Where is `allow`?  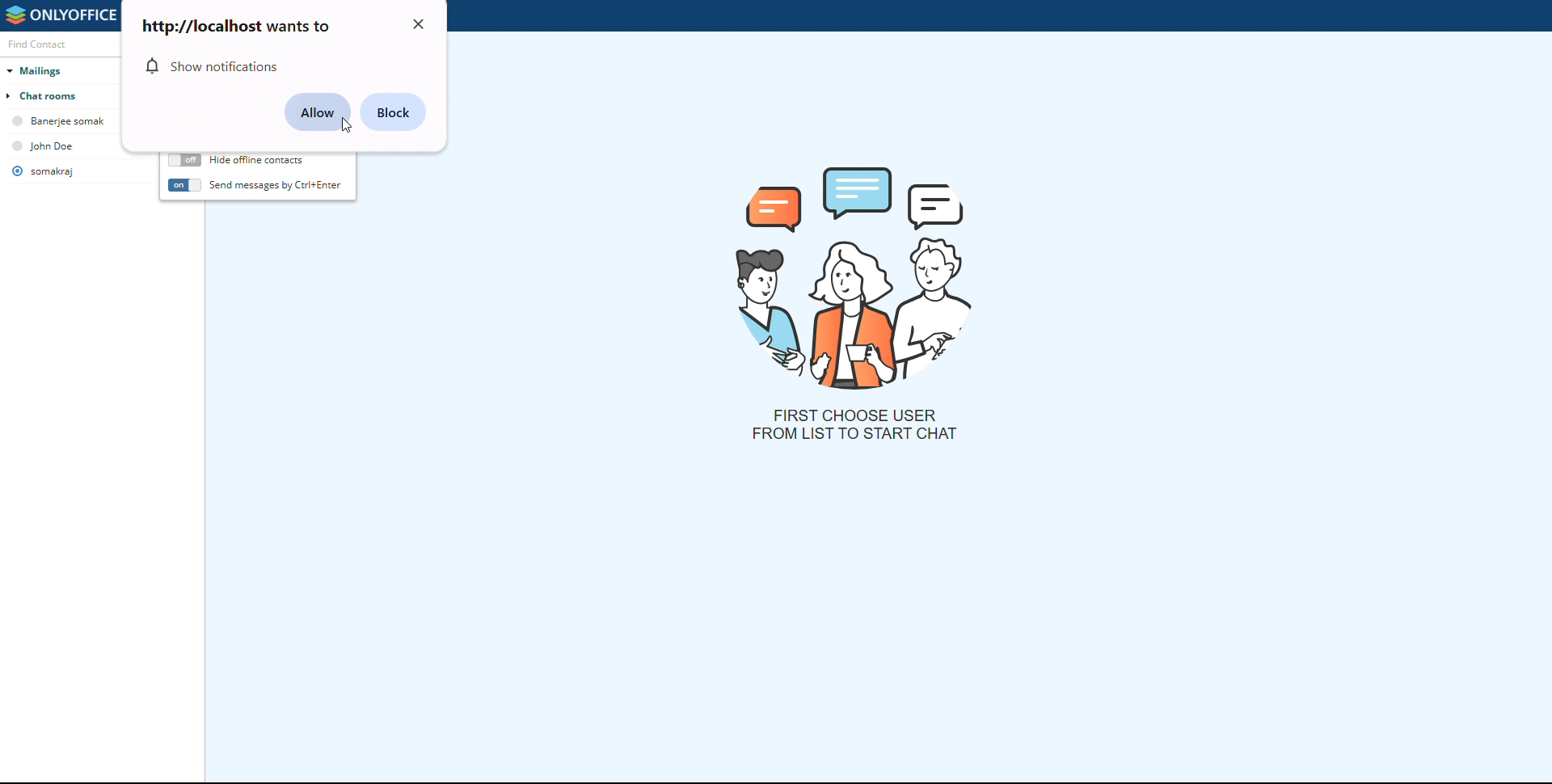 allow is located at coordinates (318, 112).